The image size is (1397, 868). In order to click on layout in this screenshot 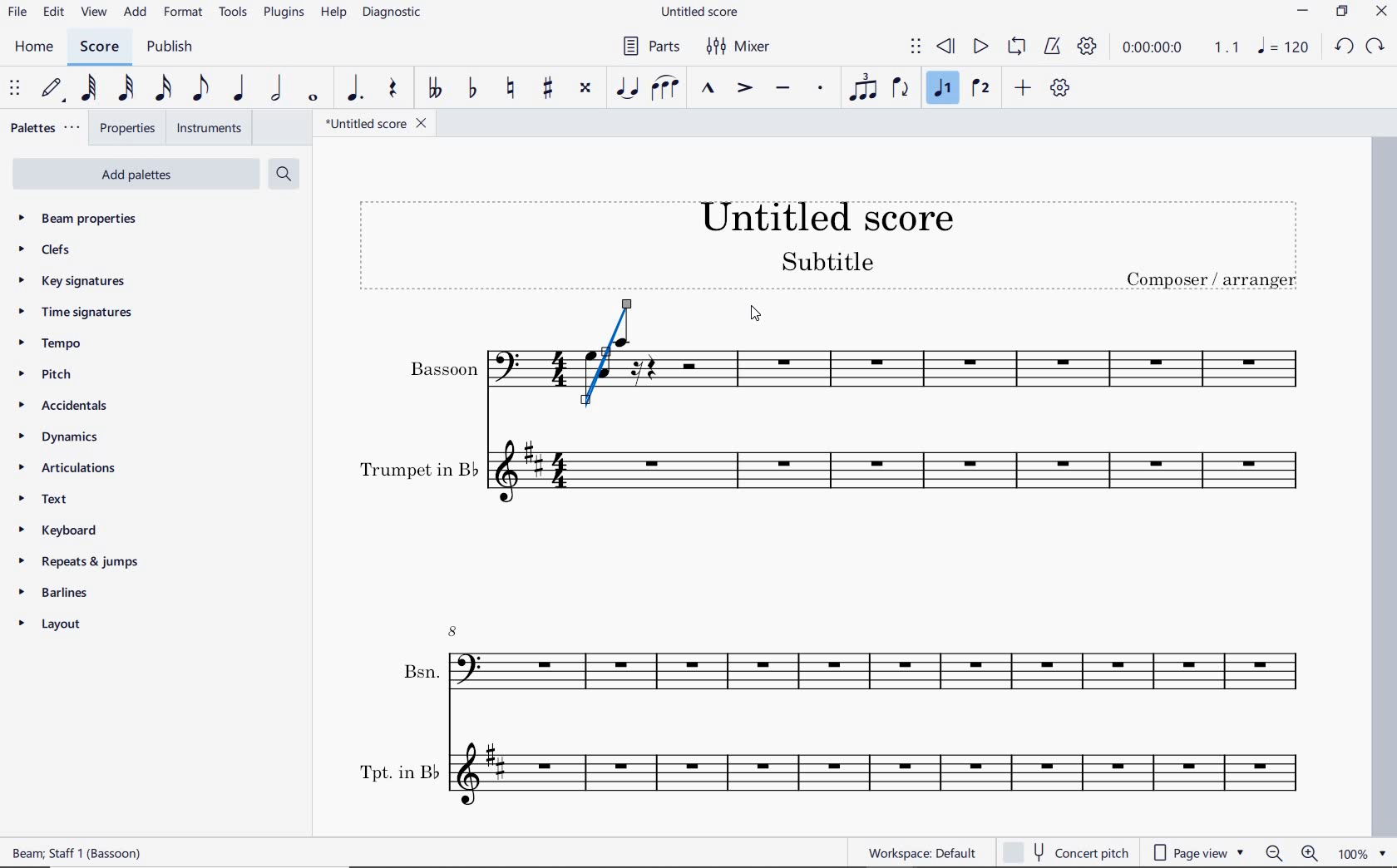, I will do `click(52, 625)`.